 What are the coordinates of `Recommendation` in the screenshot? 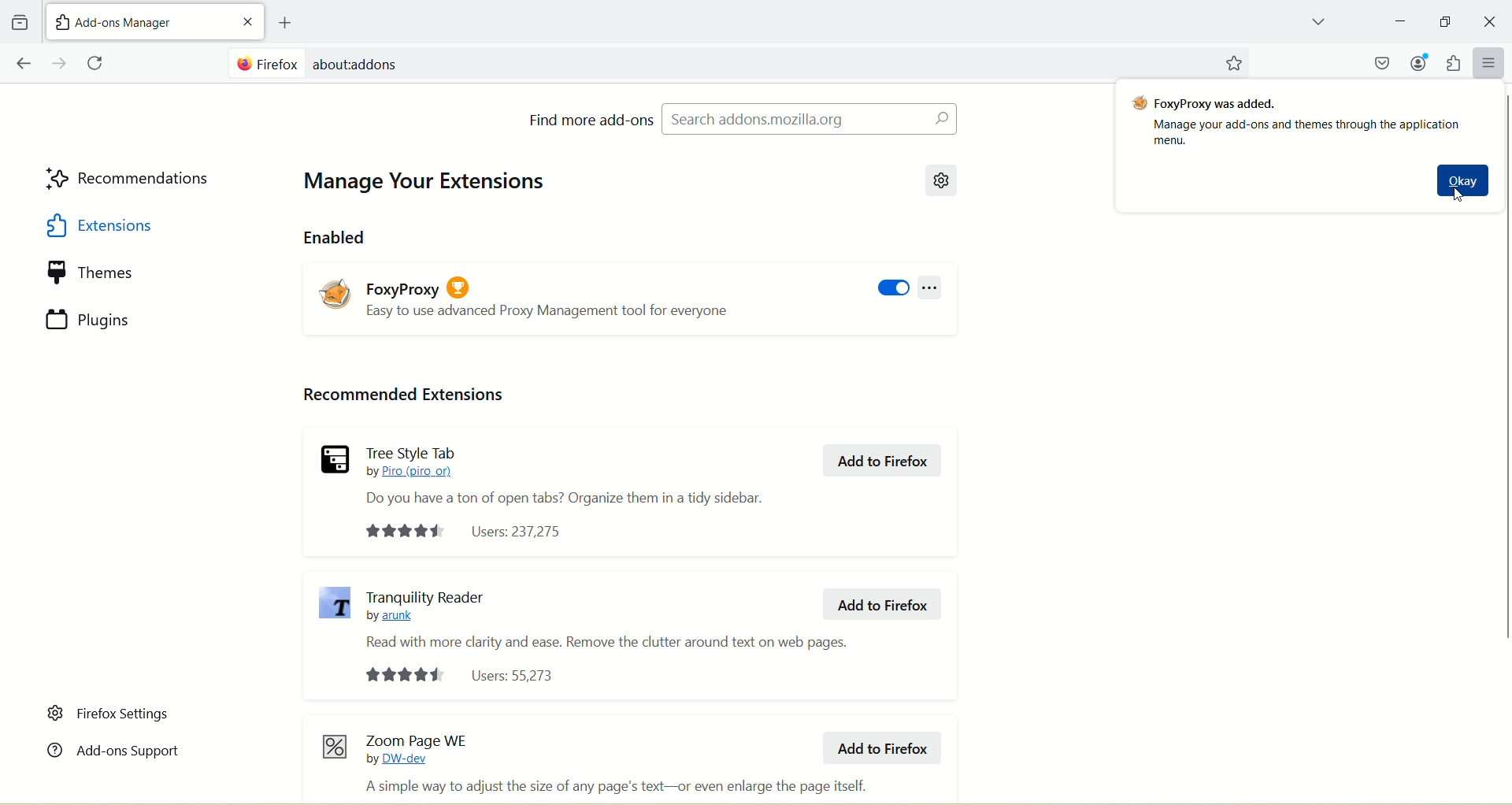 It's located at (130, 180).